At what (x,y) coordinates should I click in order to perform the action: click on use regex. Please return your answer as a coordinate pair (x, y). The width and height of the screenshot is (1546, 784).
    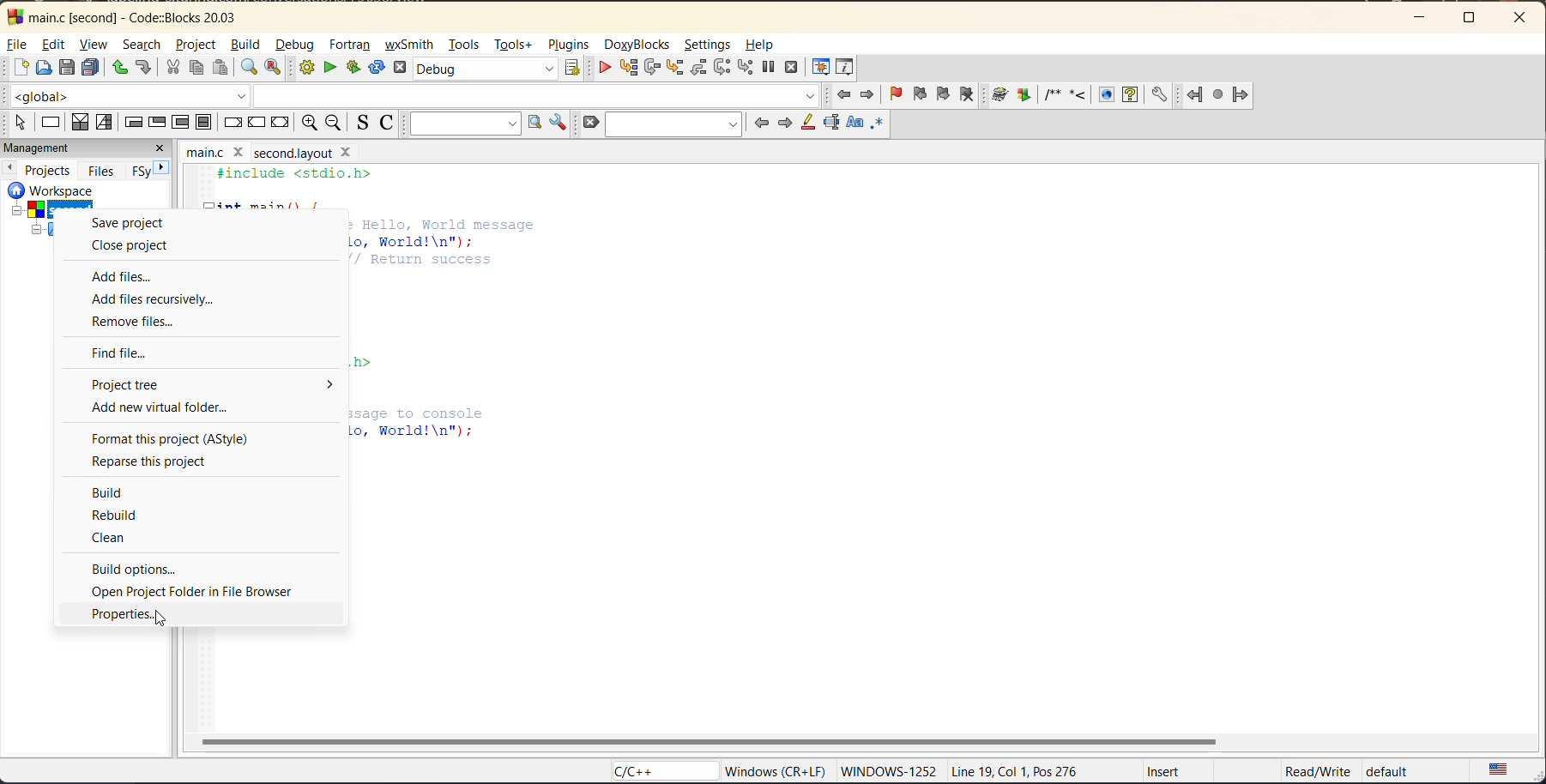
    Looking at the image, I should click on (880, 125).